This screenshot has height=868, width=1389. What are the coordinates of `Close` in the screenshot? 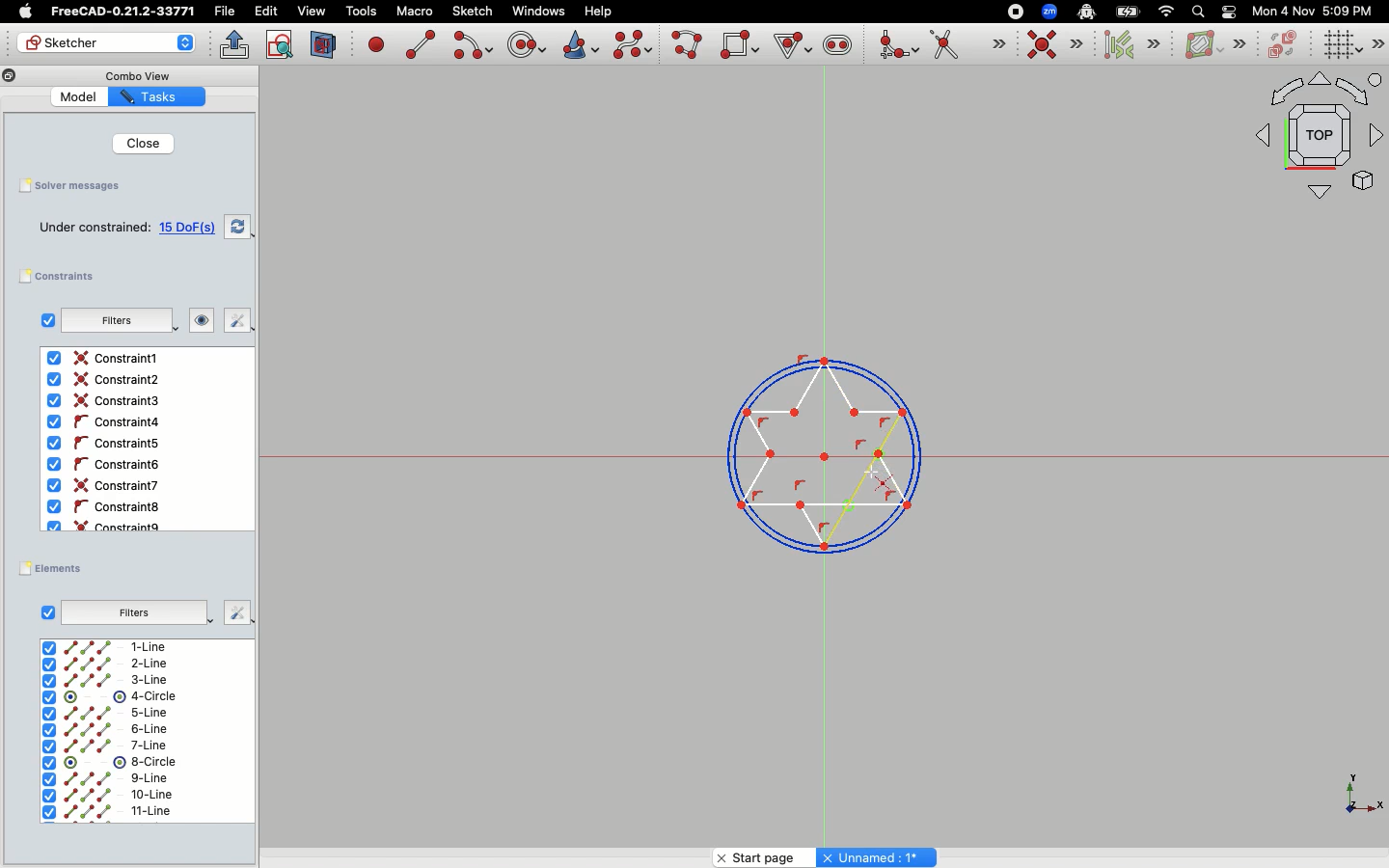 It's located at (135, 143).